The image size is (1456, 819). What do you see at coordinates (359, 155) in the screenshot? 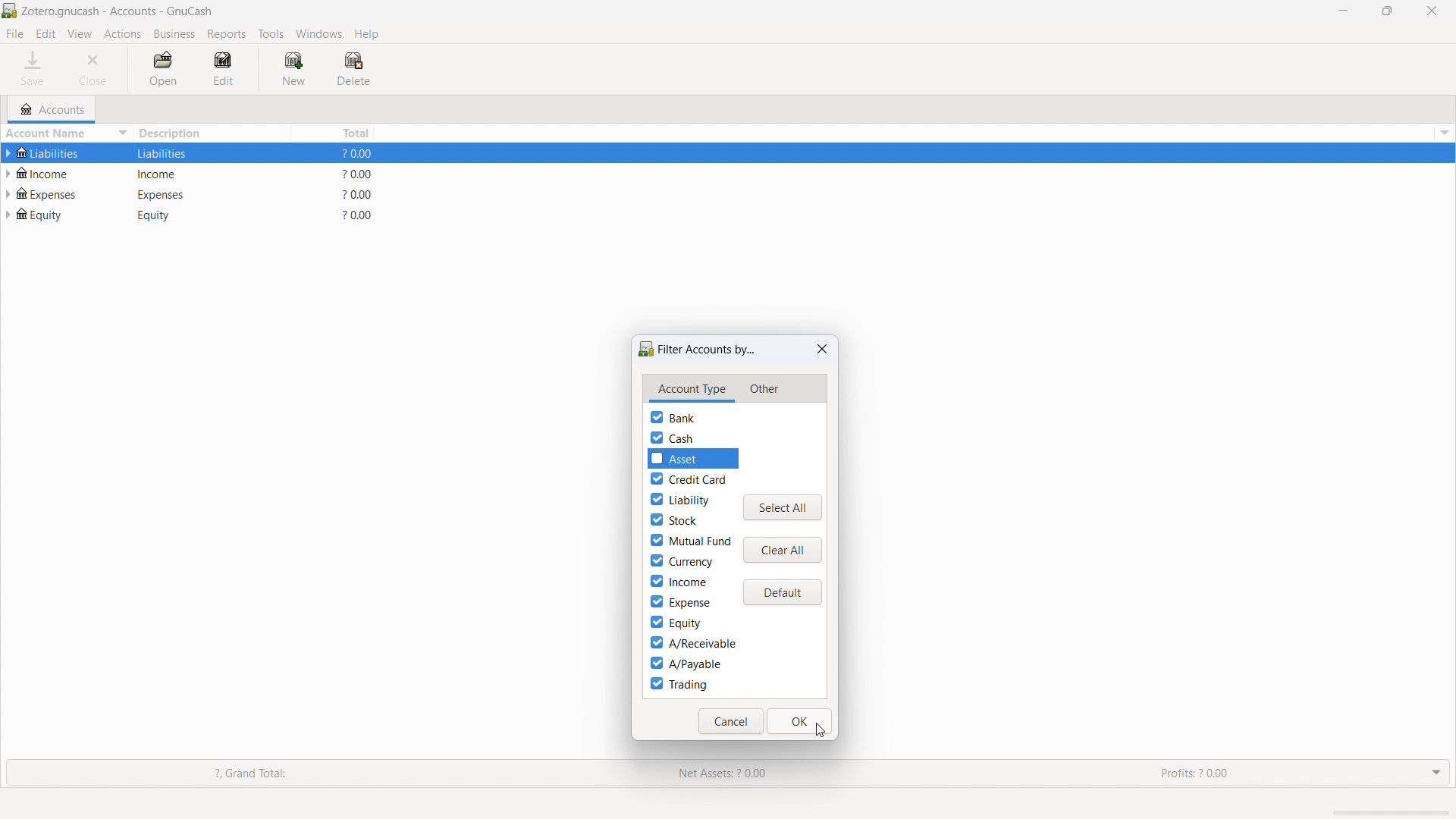
I see `$0.00` at bounding box center [359, 155].